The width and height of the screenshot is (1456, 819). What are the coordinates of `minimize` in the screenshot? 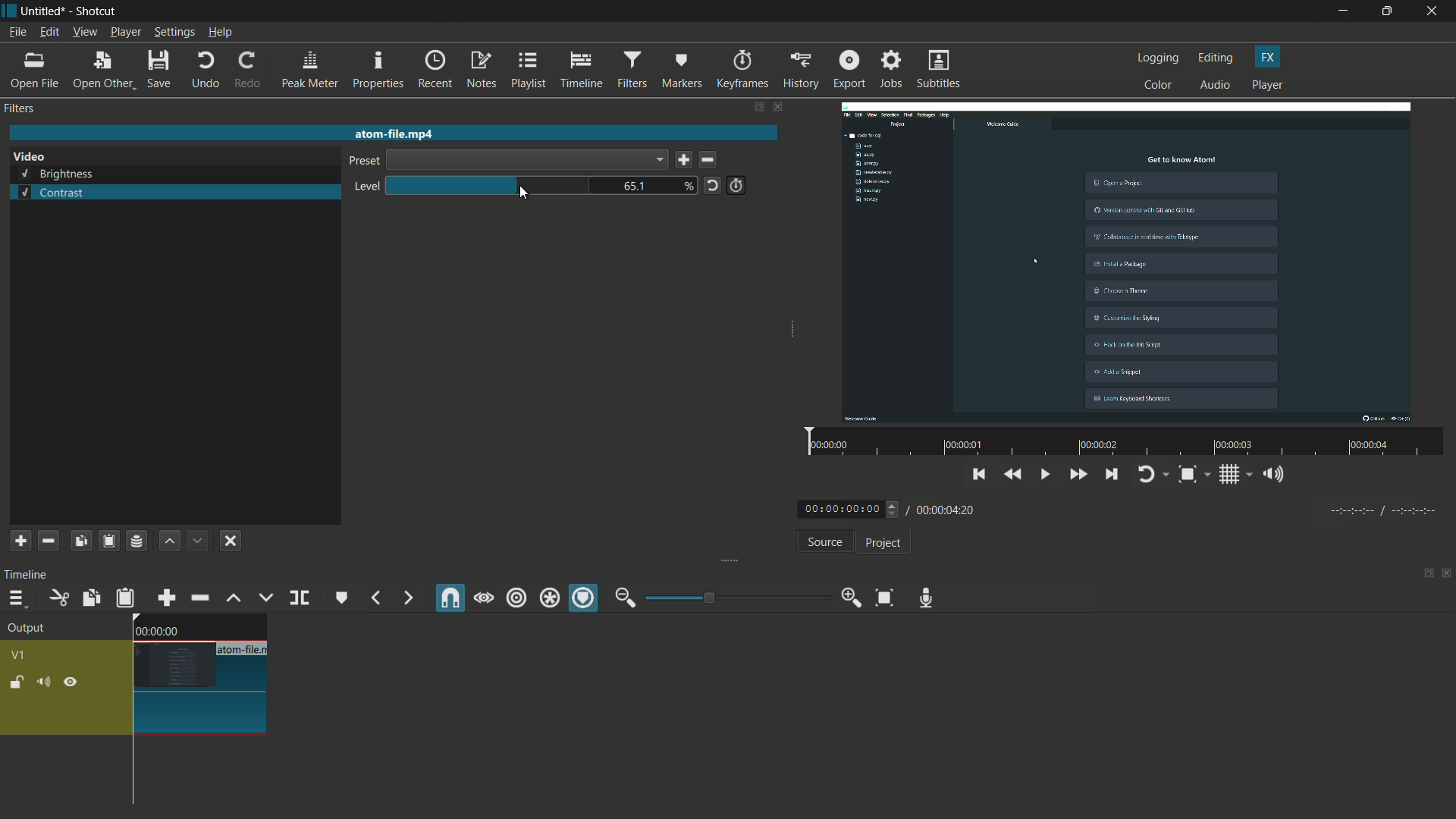 It's located at (1343, 11).